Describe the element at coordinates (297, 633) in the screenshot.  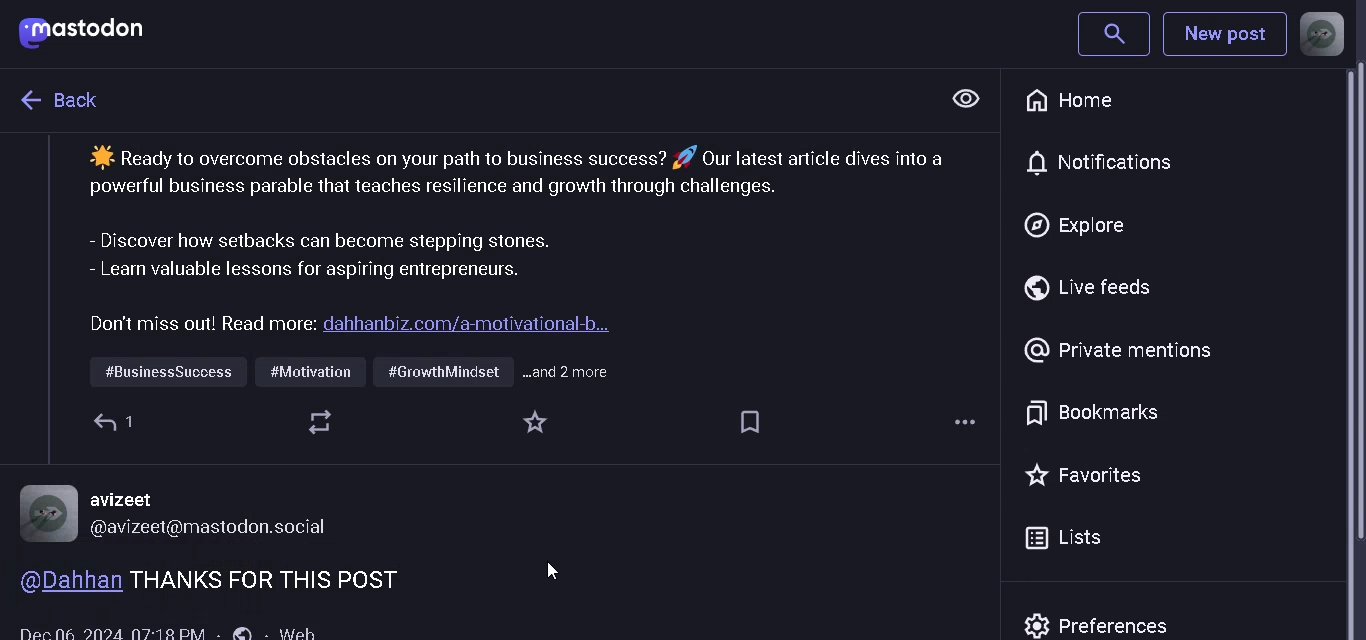
I see `web` at that location.